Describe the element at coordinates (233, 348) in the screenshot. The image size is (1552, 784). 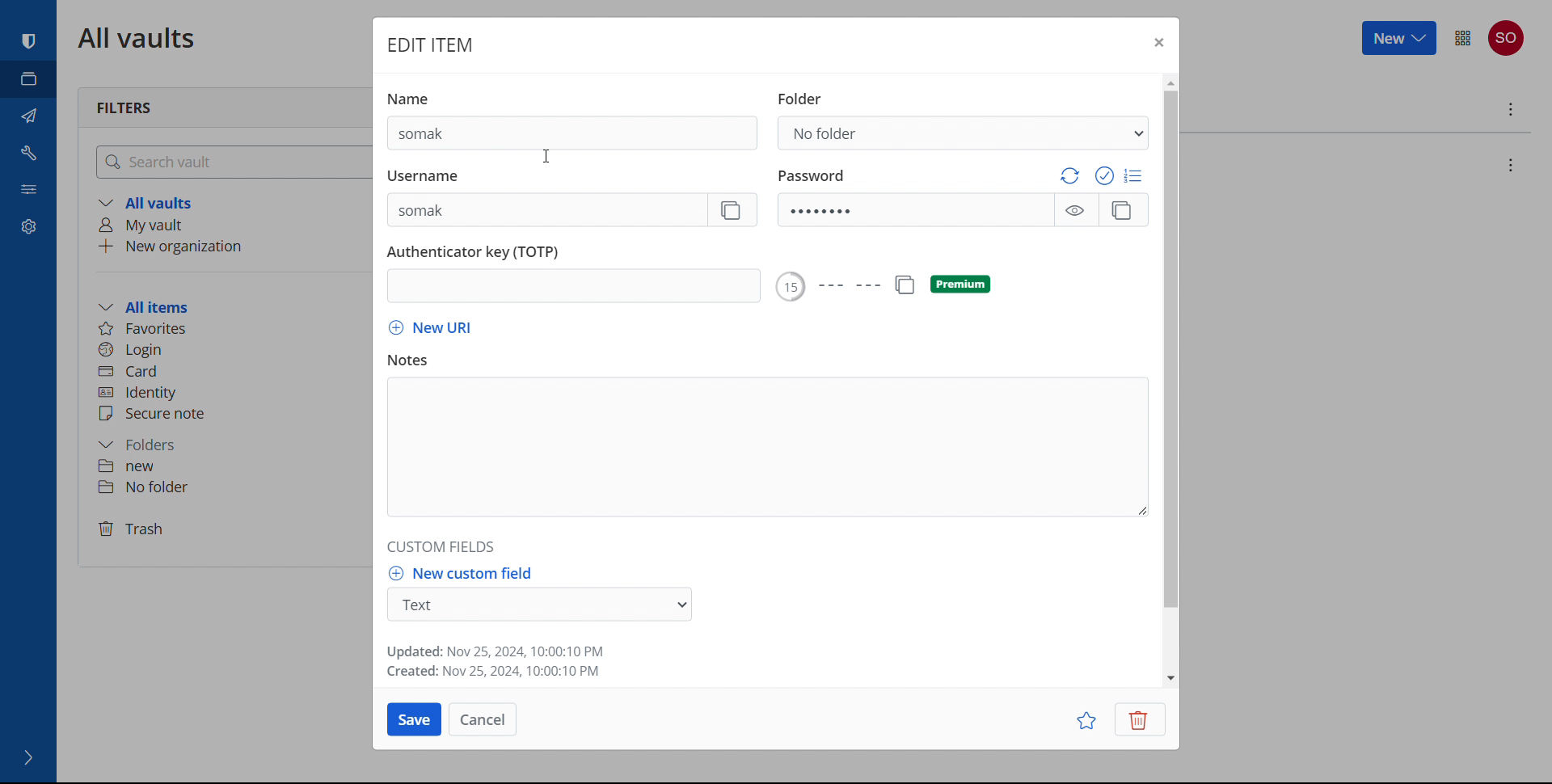
I see `login` at that location.